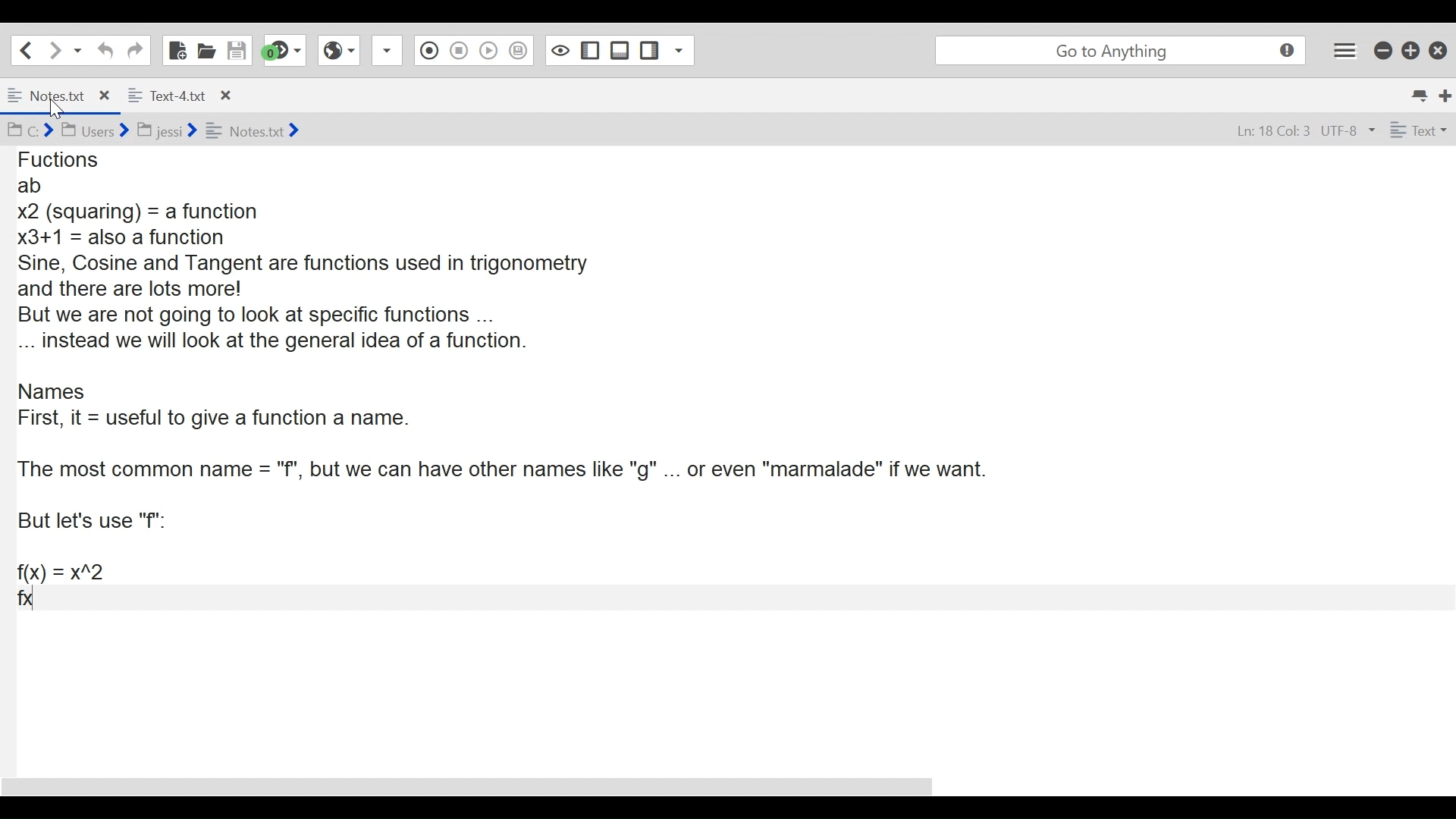 The width and height of the screenshot is (1456, 819). What do you see at coordinates (134, 50) in the screenshot?
I see `Redo last action` at bounding box center [134, 50].